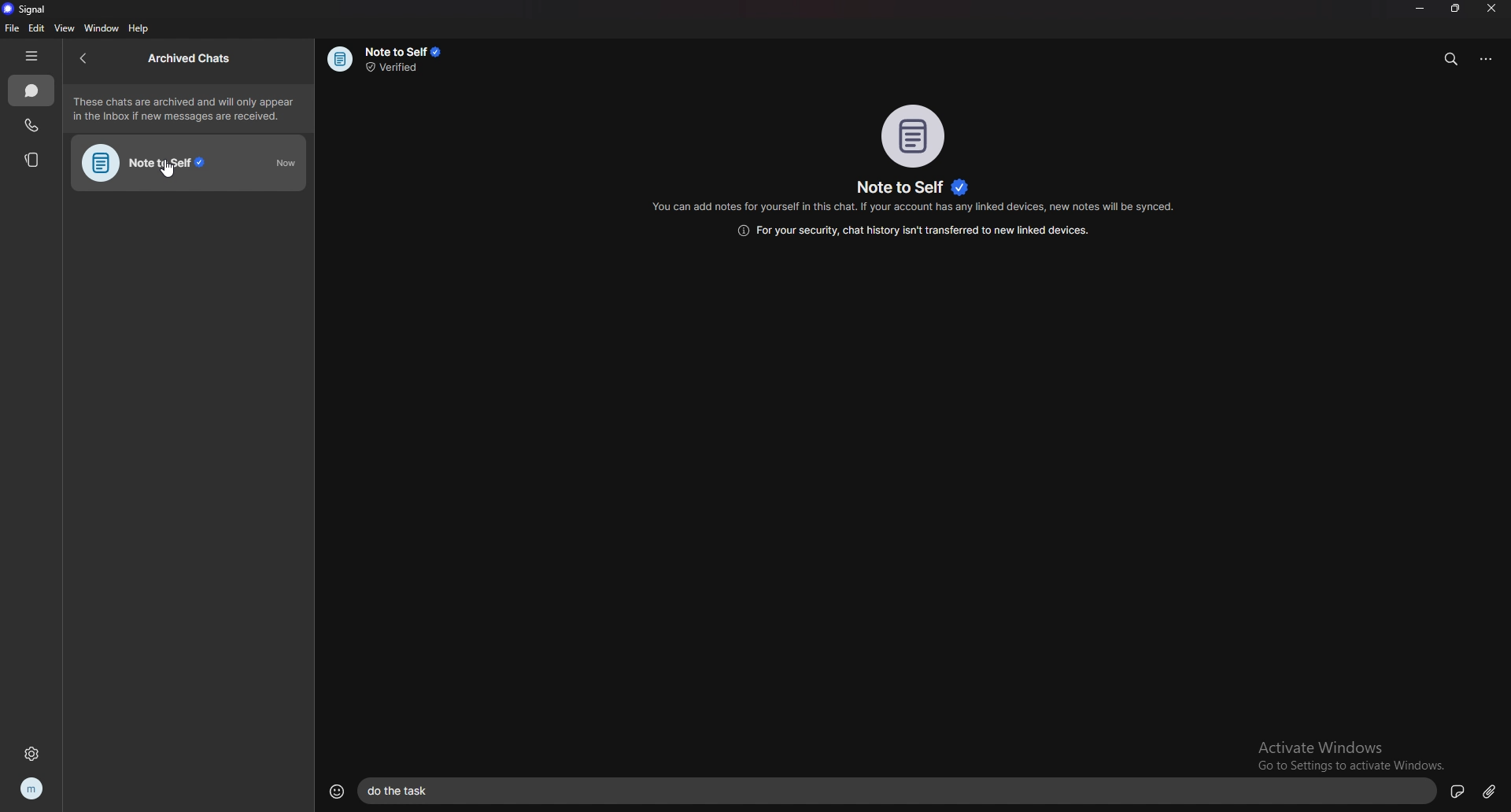 The height and width of the screenshot is (812, 1511). What do you see at coordinates (1457, 8) in the screenshot?
I see `resize` at bounding box center [1457, 8].